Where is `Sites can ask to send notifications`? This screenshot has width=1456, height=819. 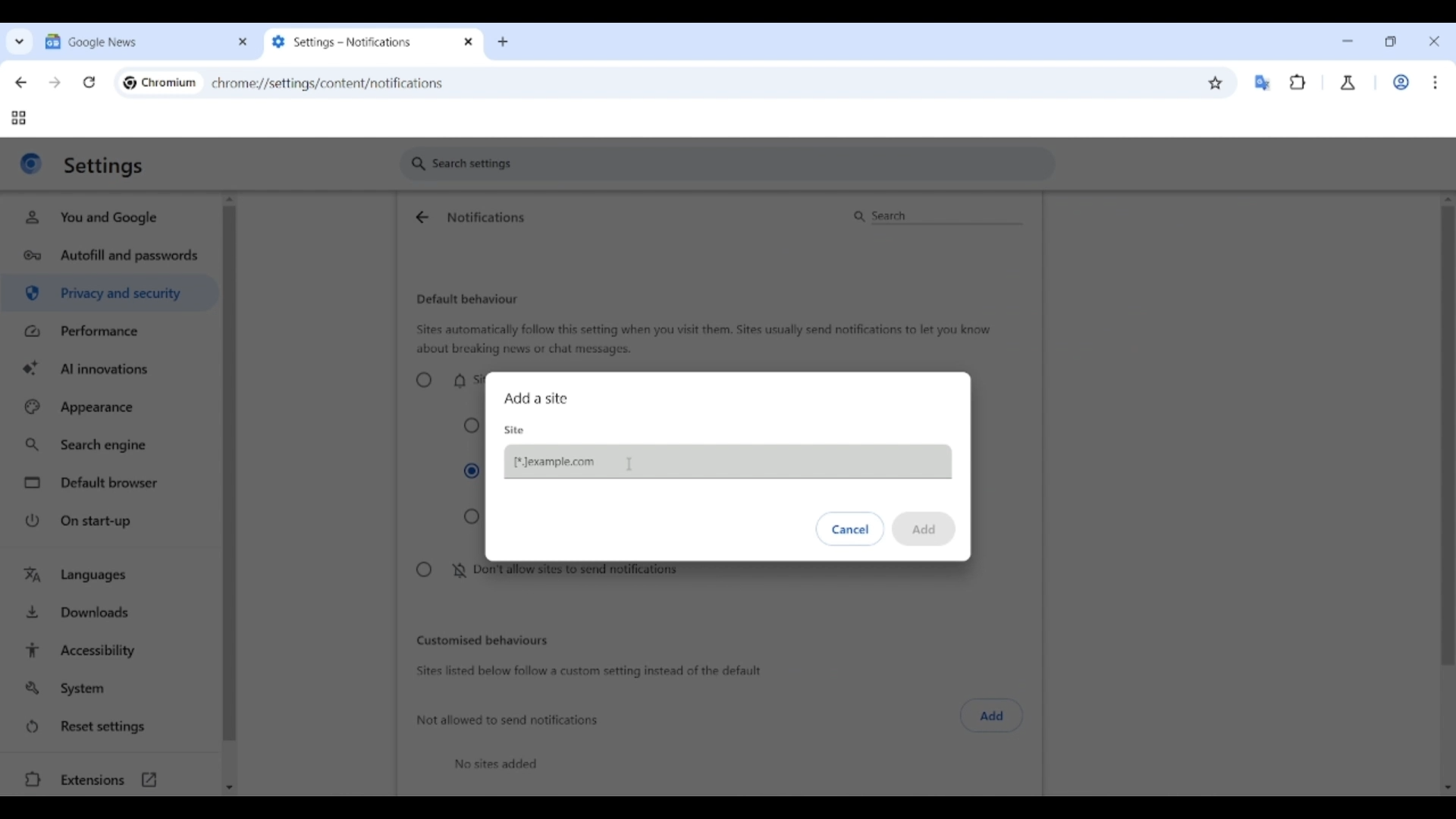
Sites can ask to send notifications is located at coordinates (447, 380).